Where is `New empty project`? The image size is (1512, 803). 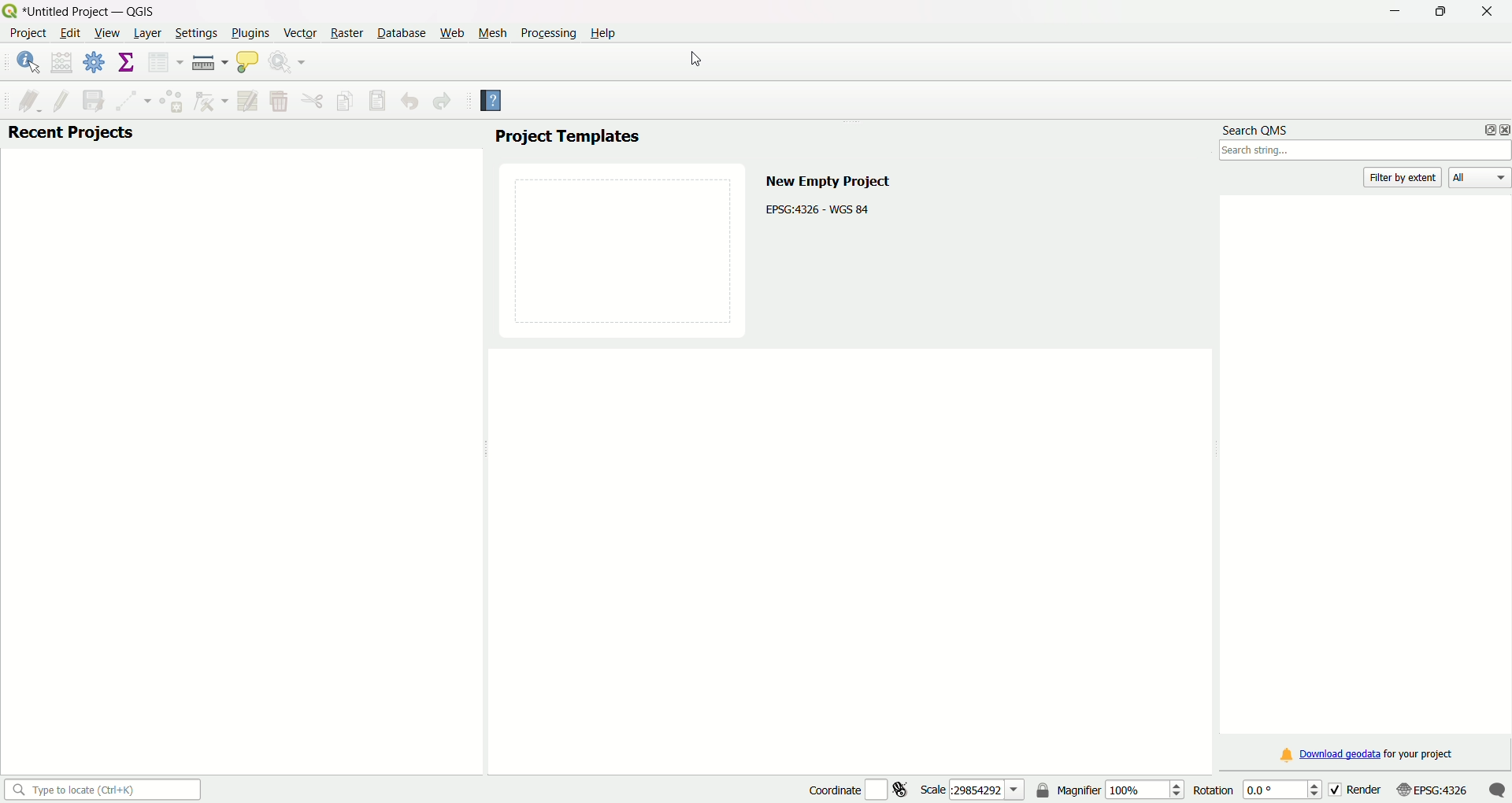
New empty project is located at coordinates (827, 179).